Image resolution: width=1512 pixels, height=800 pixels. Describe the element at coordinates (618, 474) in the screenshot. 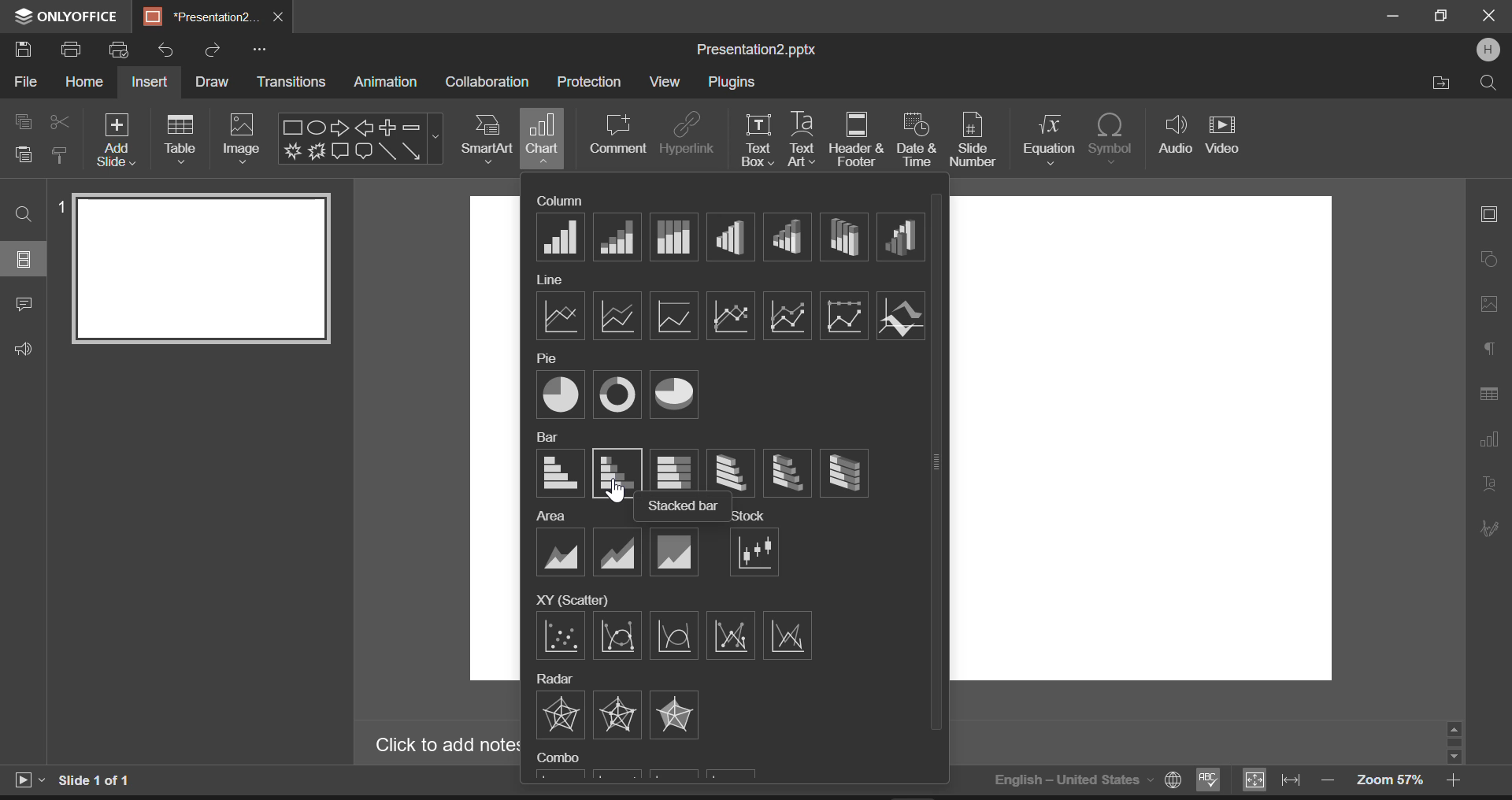

I see `Stacked Bar` at that location.